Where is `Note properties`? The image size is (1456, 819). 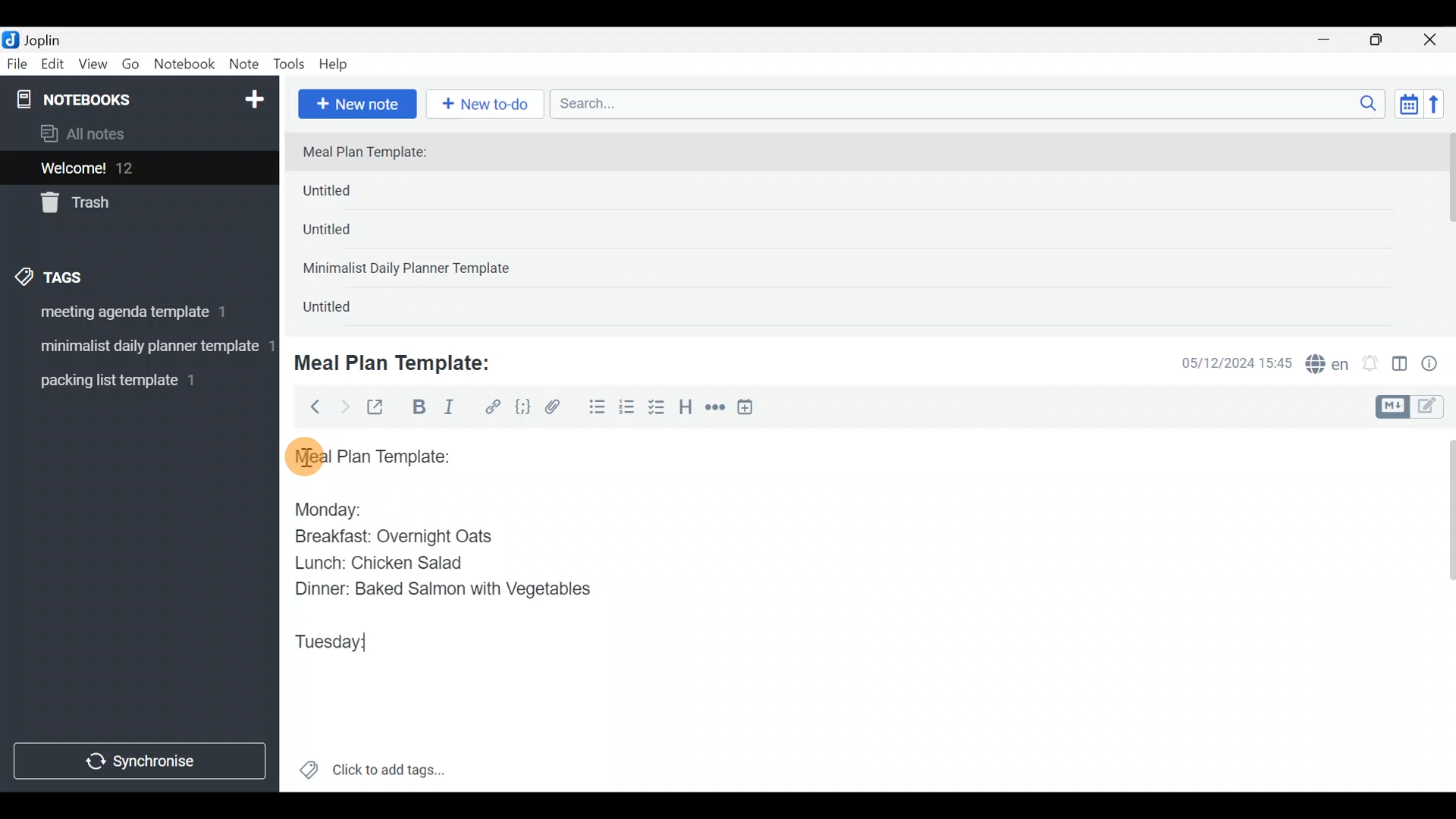 Note properties is located at coordinates (1436, 365).